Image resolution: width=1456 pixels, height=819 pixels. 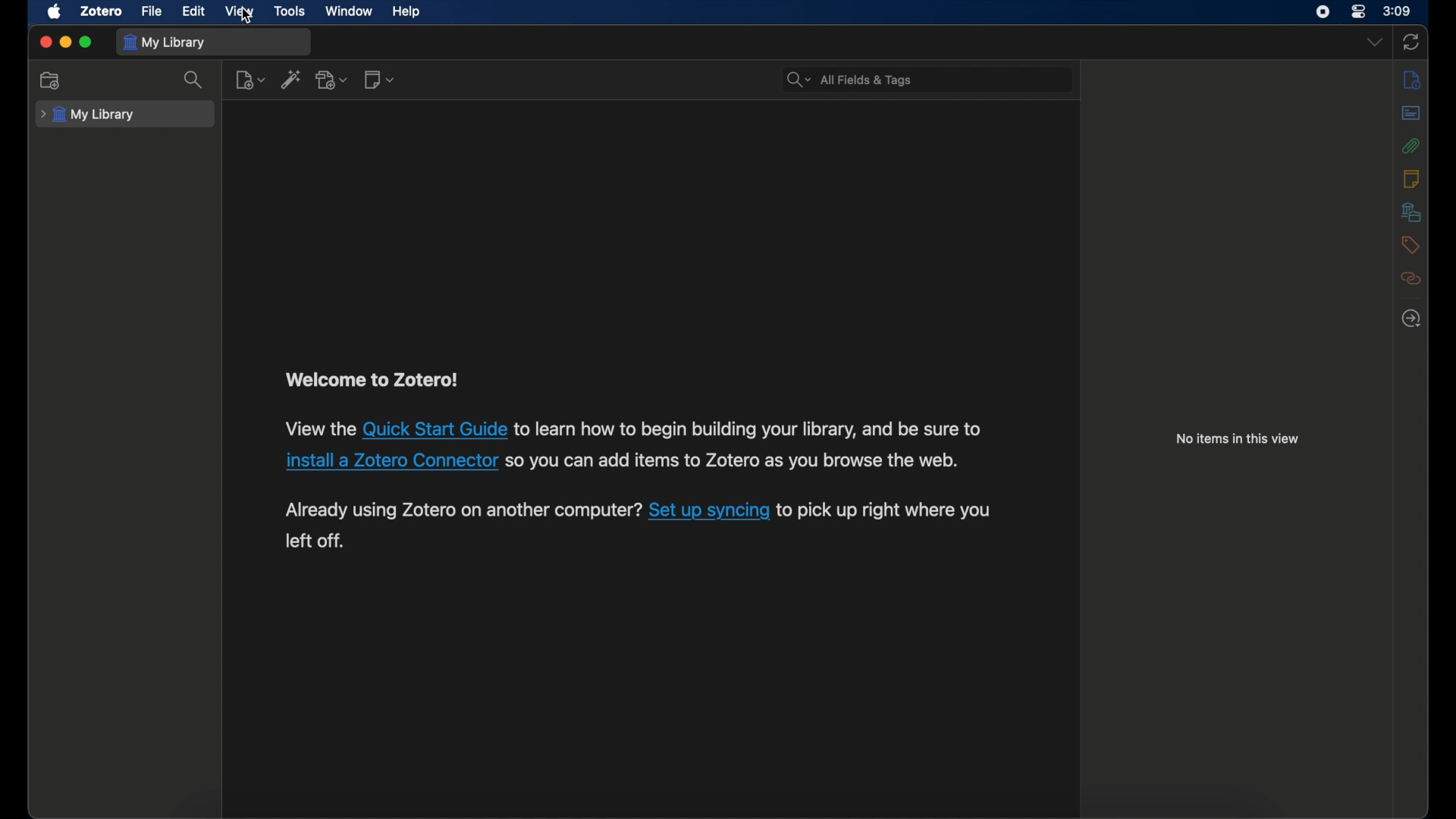 What do you see at coordinates (151, 11) in the screenshot?
I see `file` at bounding box center [151, 11].